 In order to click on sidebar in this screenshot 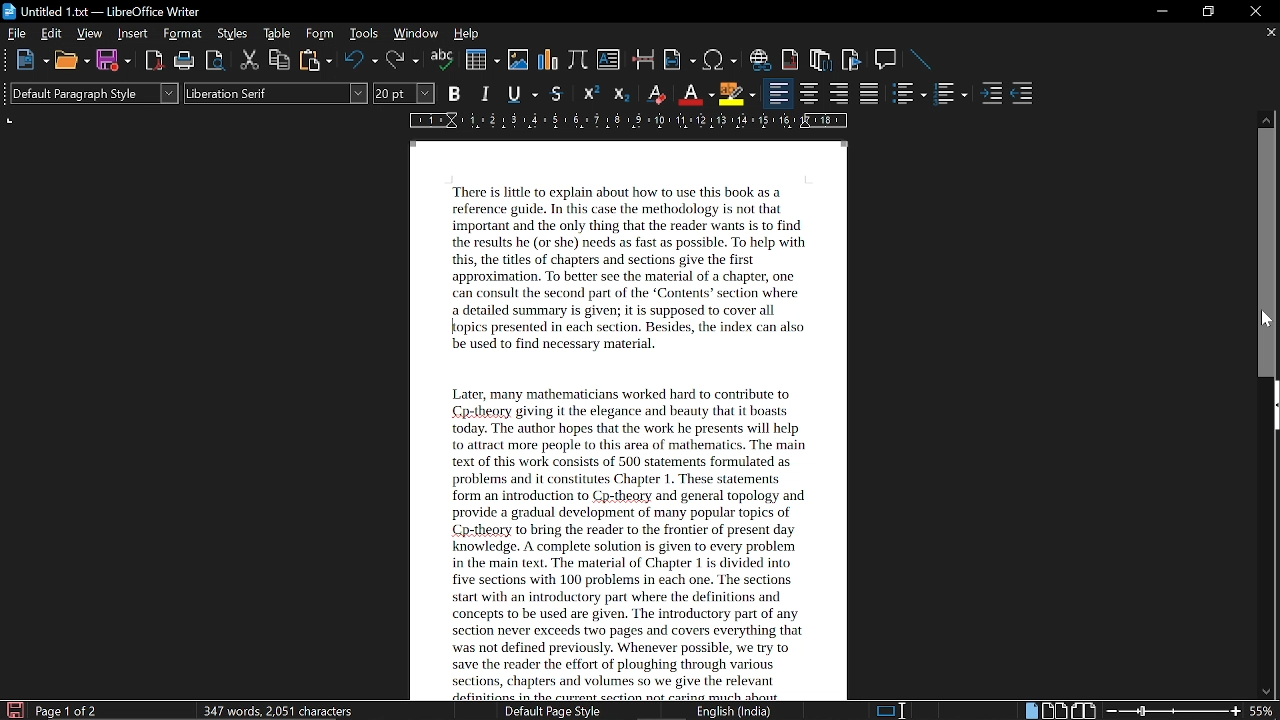, I will do `click(1272, 406)`.